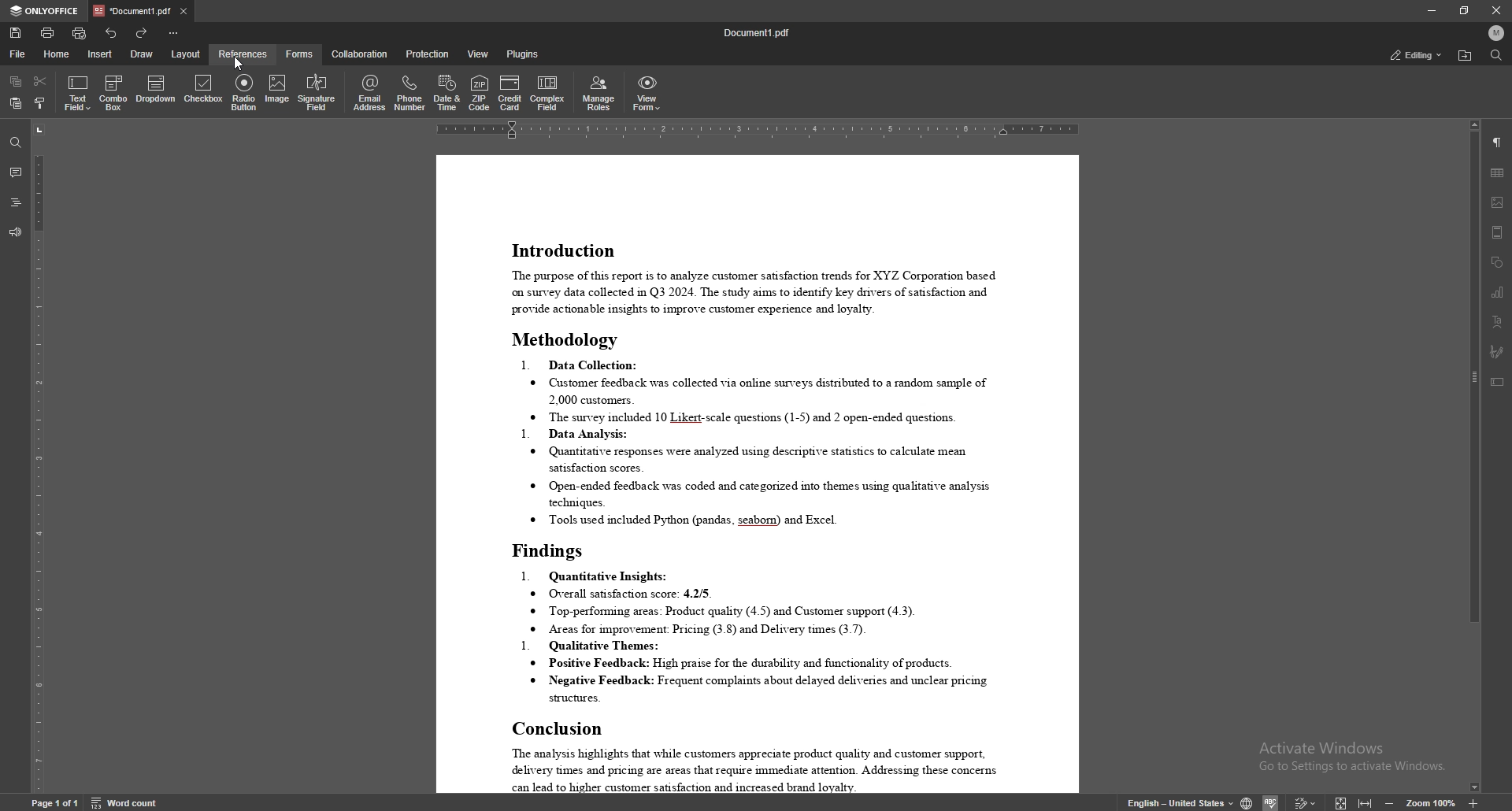  I want to click on view, so click(479, 54).